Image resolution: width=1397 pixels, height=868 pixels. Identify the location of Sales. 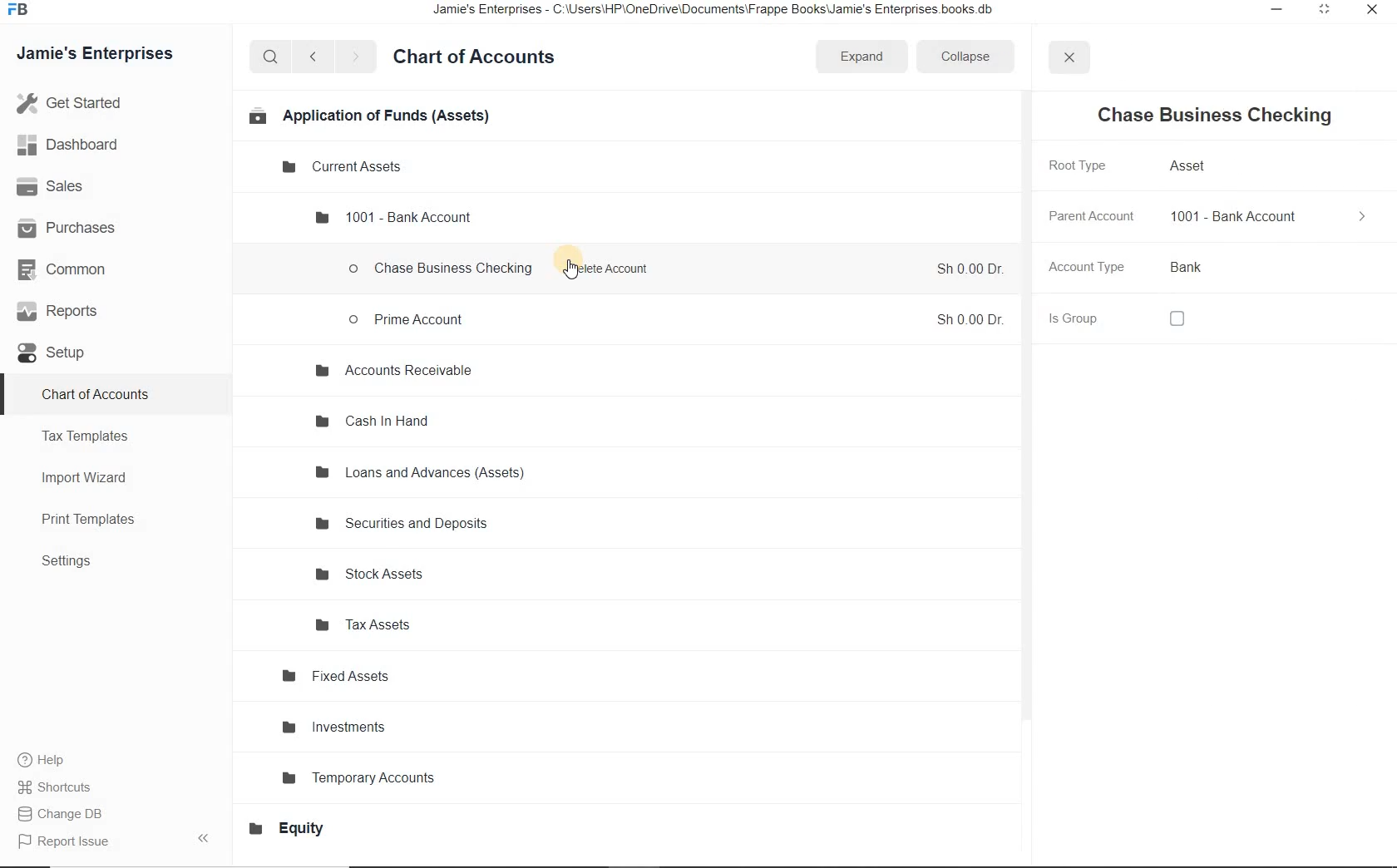
(72, 187).